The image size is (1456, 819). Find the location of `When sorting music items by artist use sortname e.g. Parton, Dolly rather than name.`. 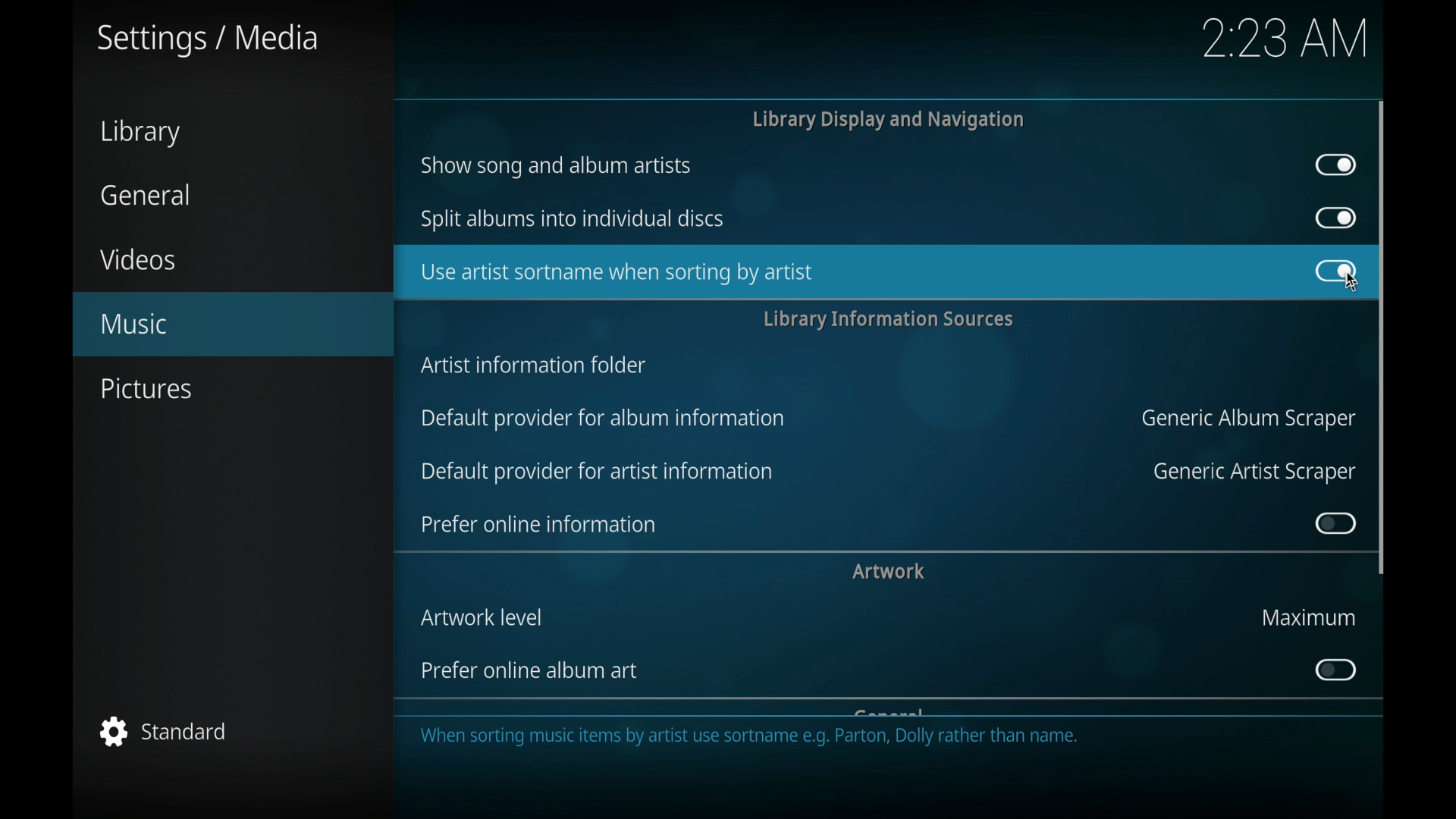

When sorting music items by artist use sortname e.g. Parton, Dolly rather than name. is located at coordinates (753, 740).